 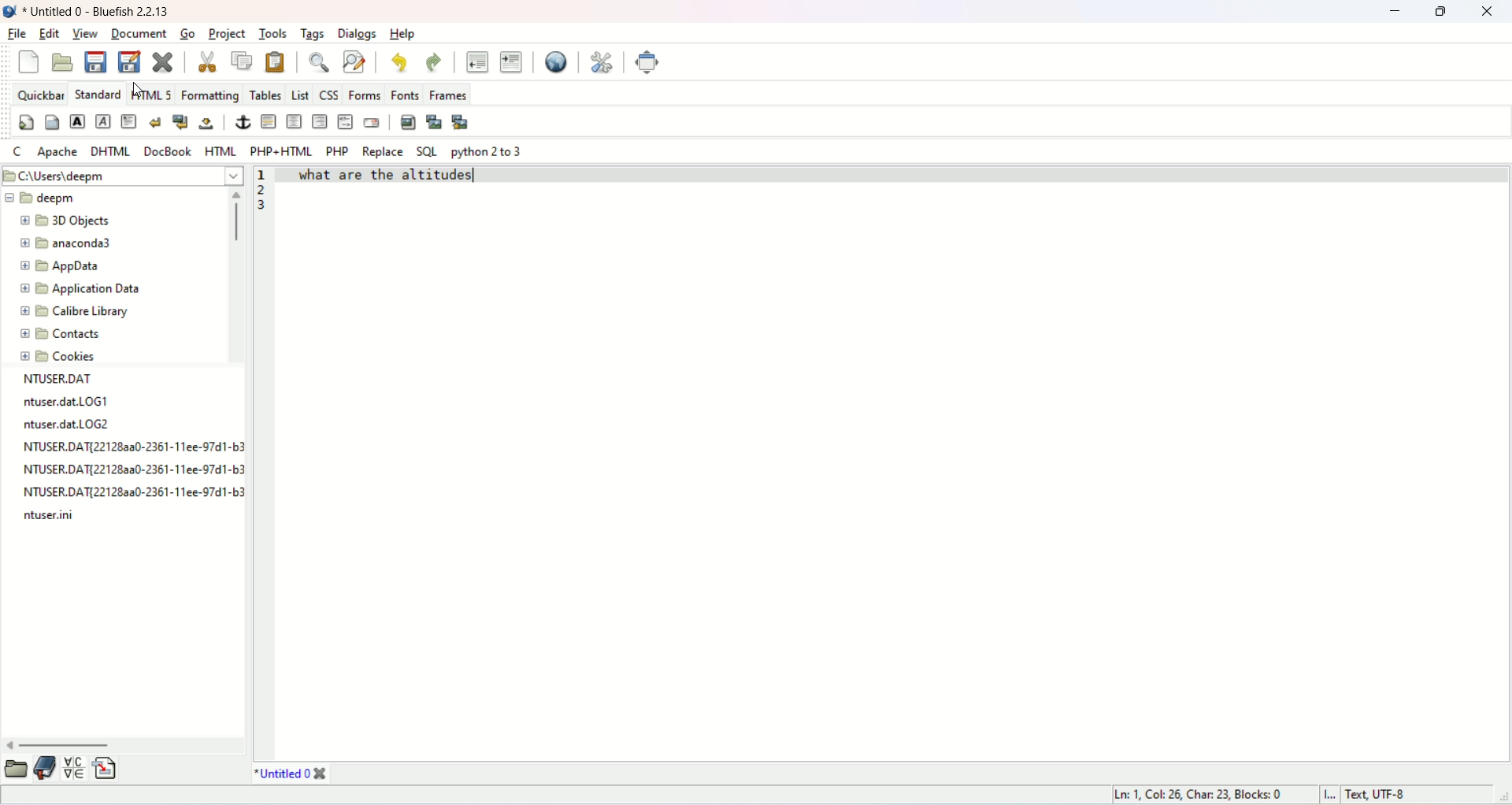 I want to click on save file as, so click(x=129, y=61).